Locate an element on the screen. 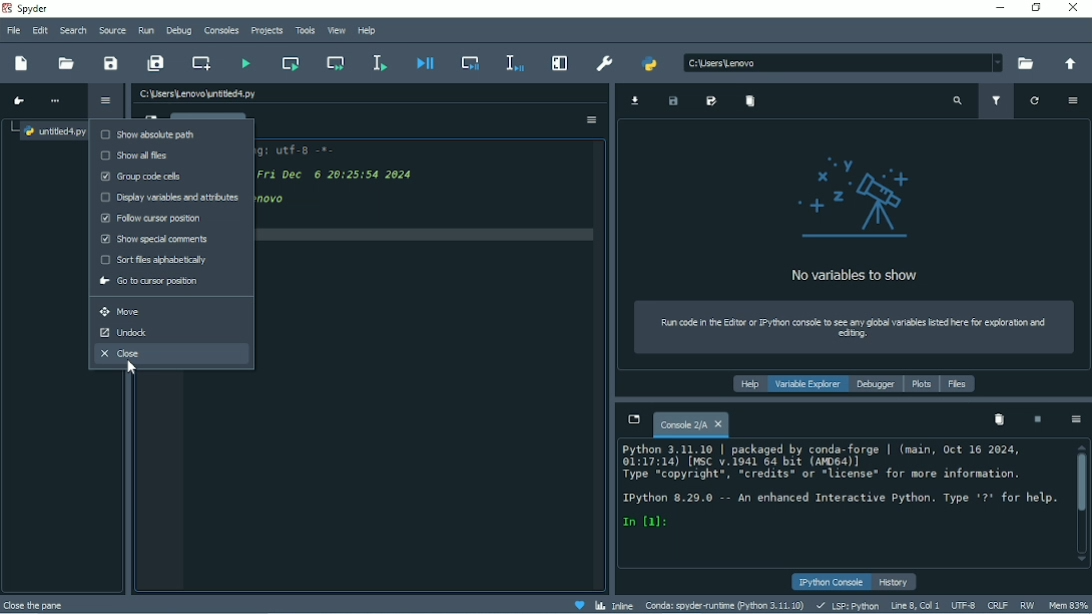  Search variable names and types is located at coordinates (958, 101).